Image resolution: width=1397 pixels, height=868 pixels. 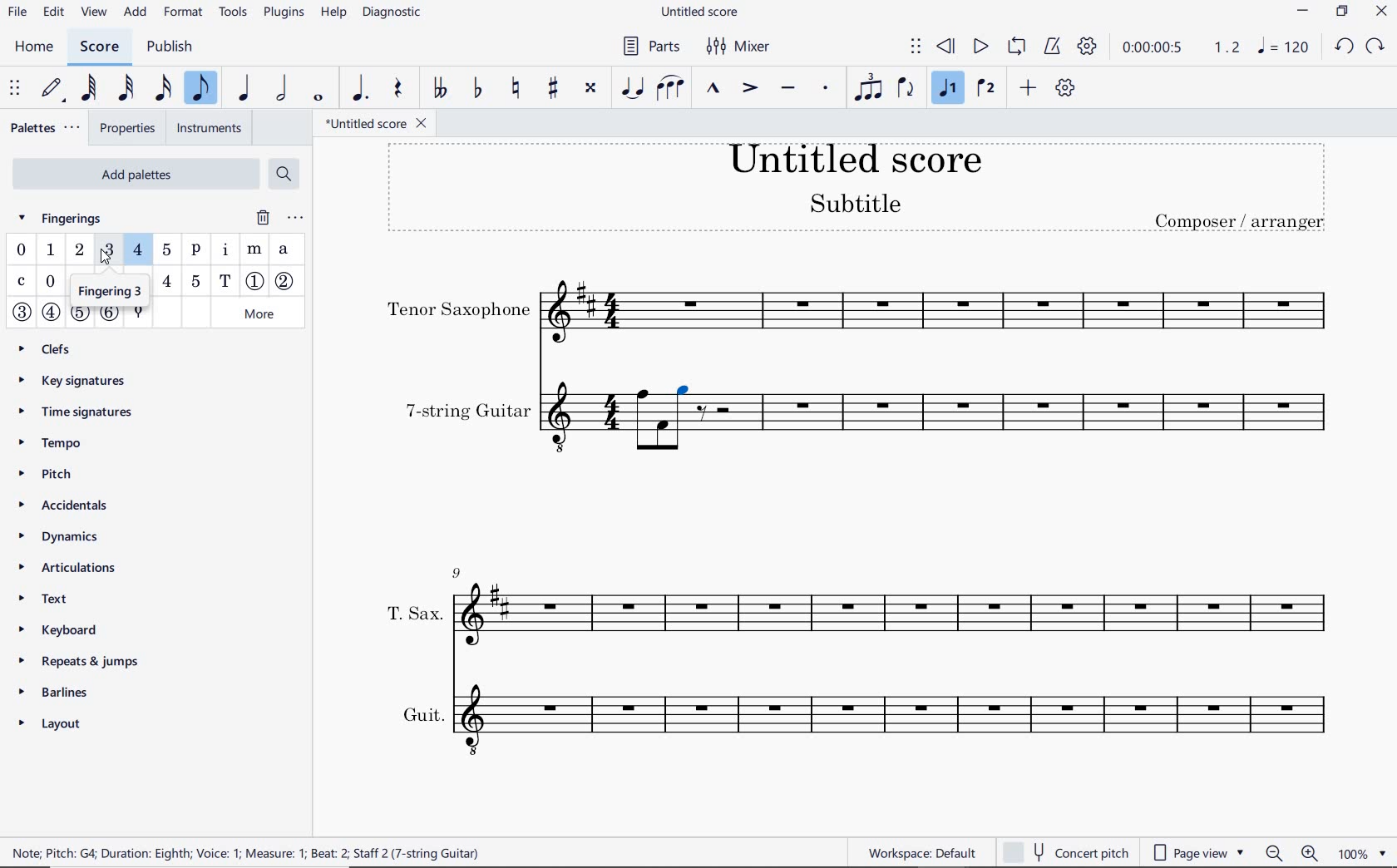 I want to click on rh guitar fingering p, so click(x=195, y=252).